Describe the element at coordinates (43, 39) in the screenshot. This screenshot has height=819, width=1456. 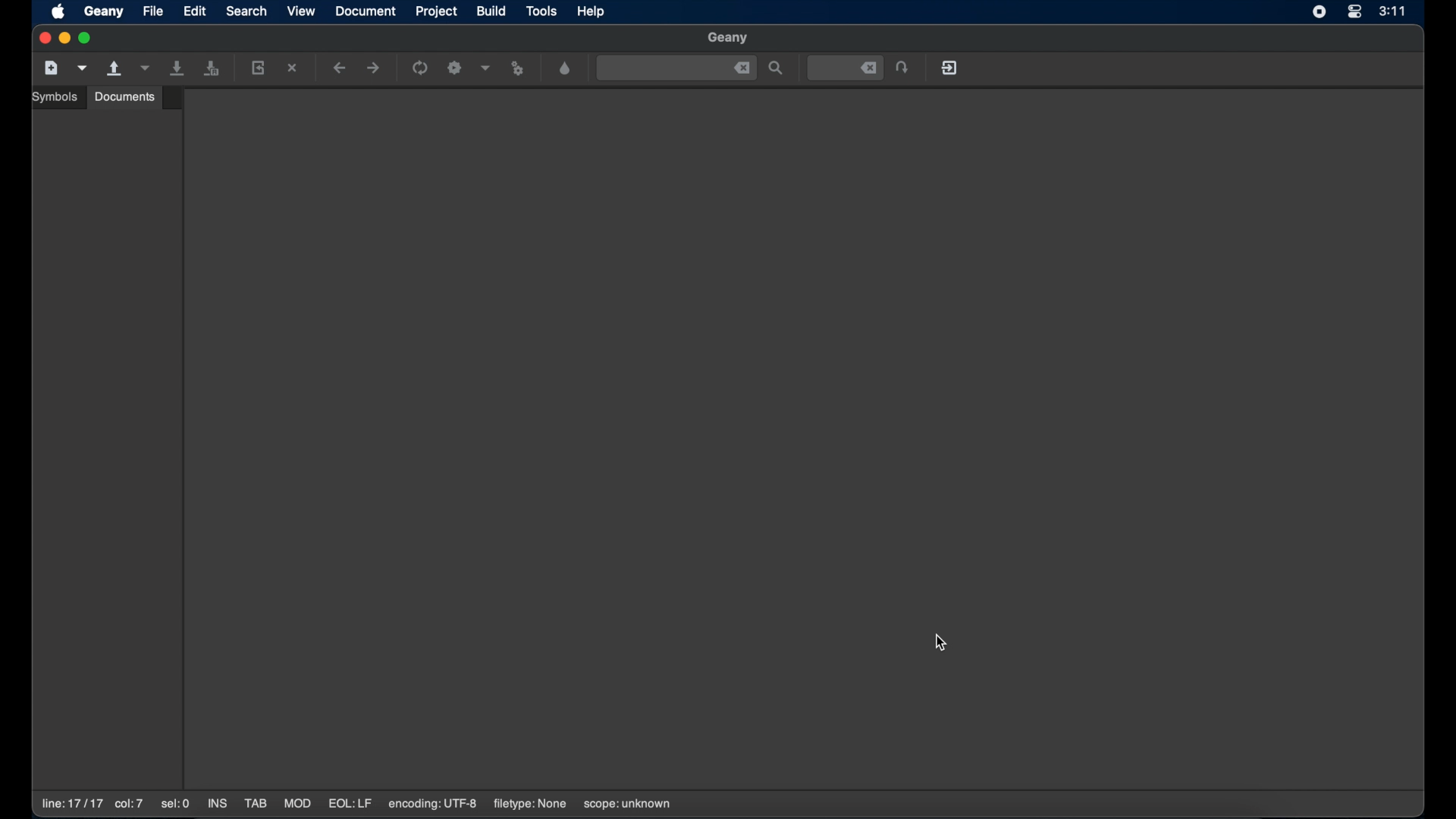
I see `close` at that location.